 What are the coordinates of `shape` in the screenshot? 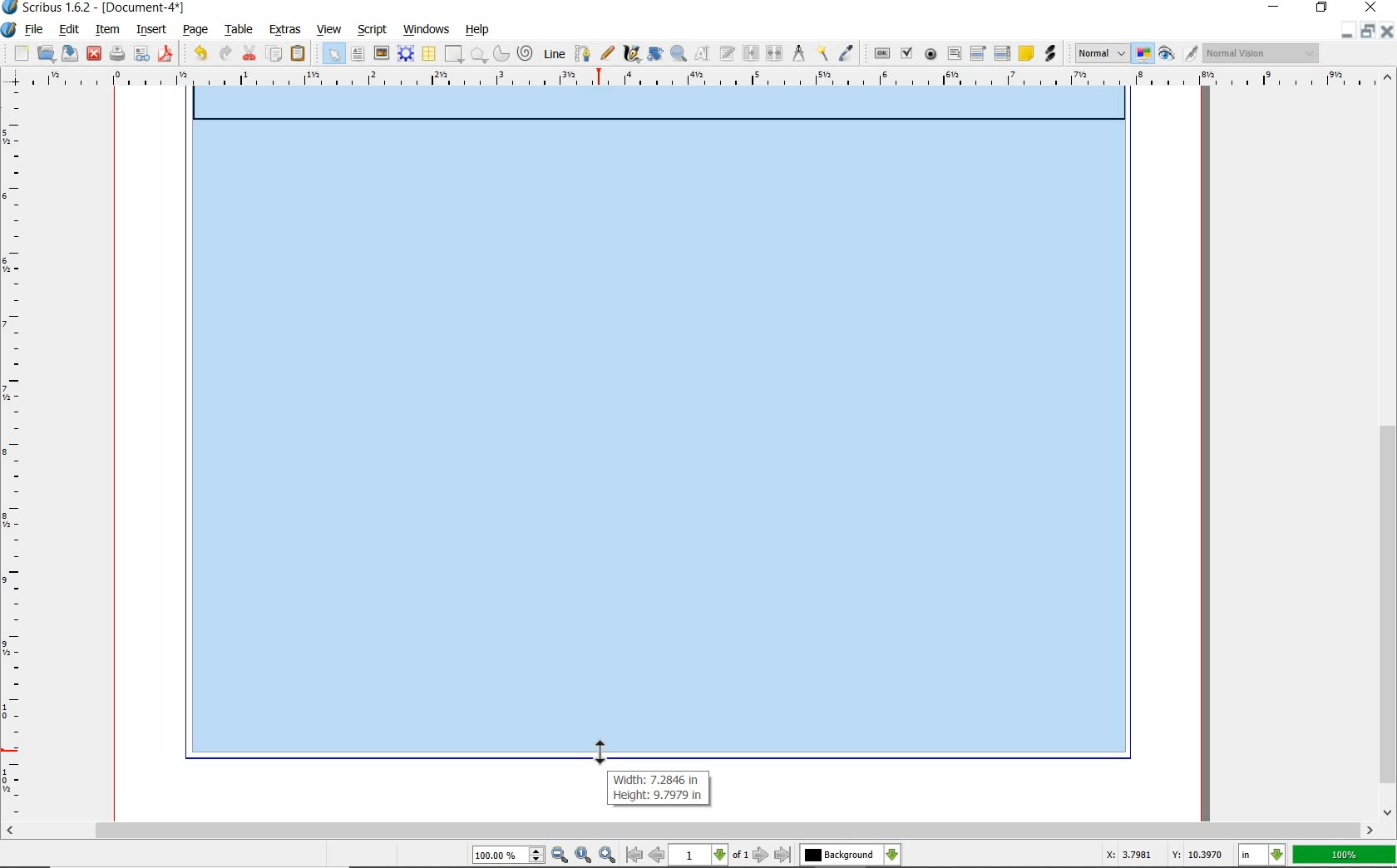 It's located at (454, 55).